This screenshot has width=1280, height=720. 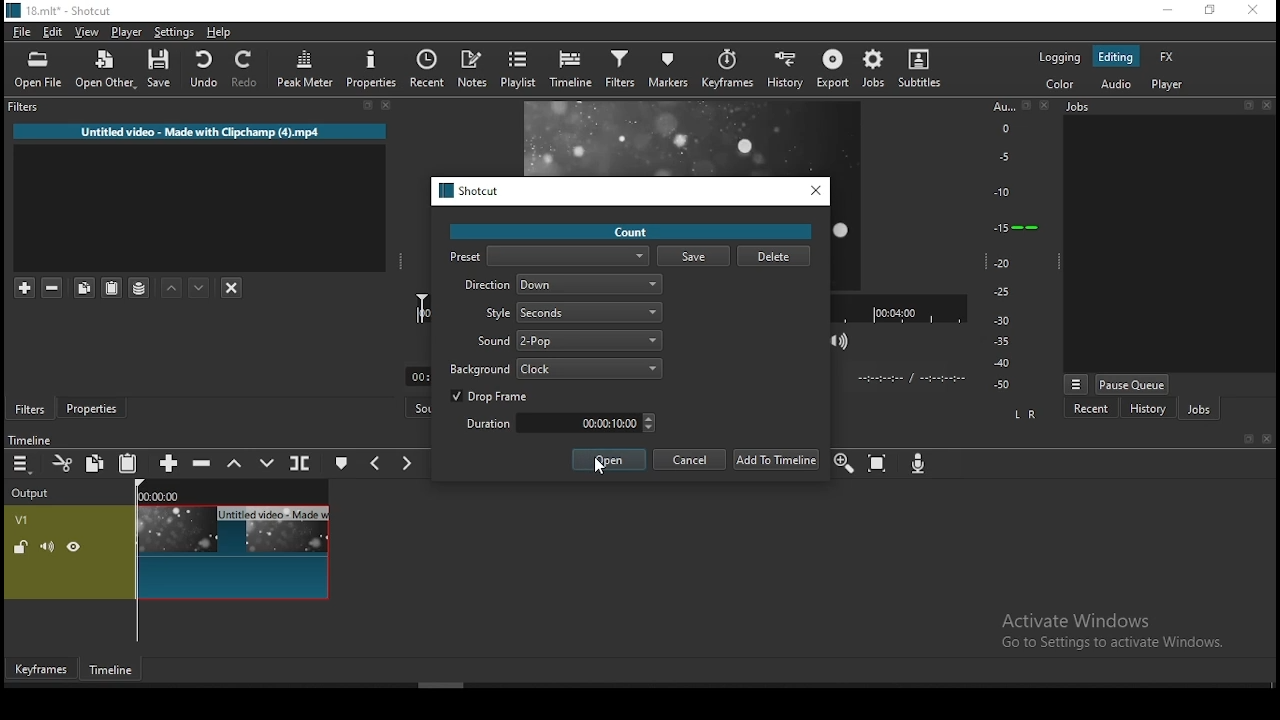 I want to click on Shotcut, so click(x=475, y=190).